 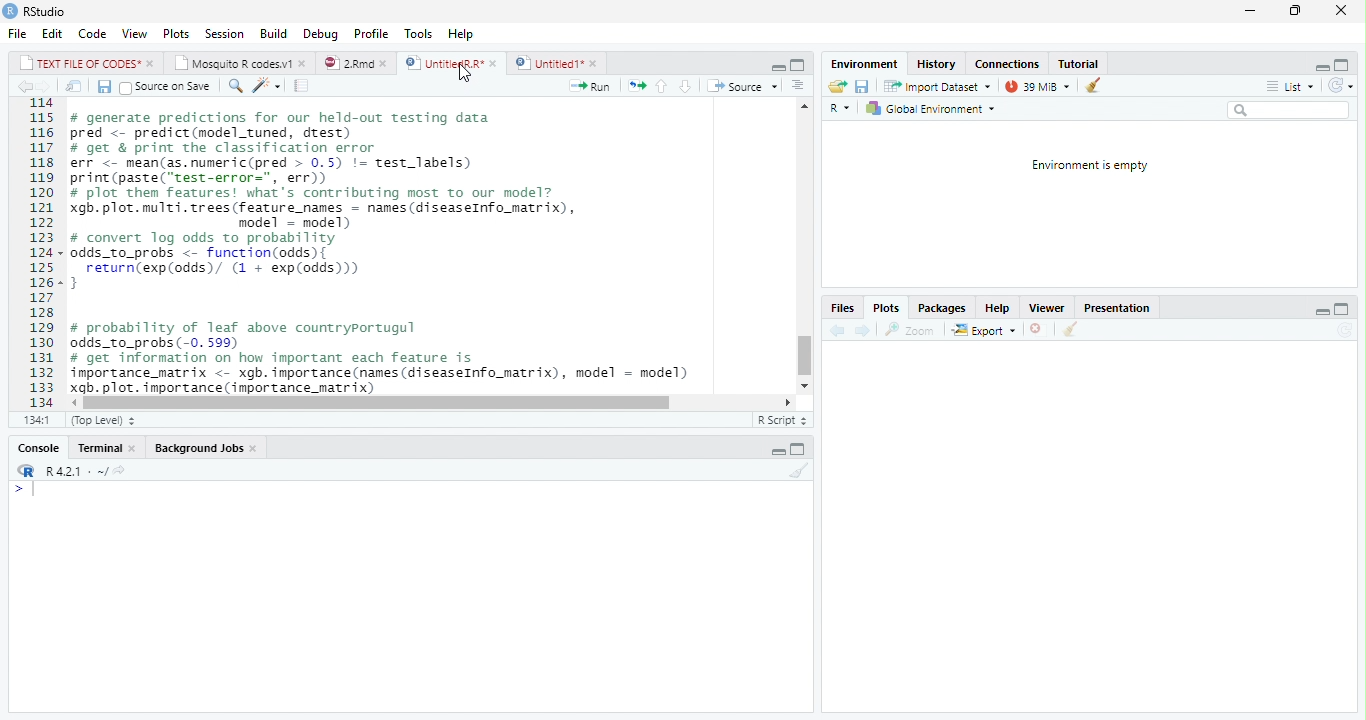 I want to click on TEXT FILE OF CODES" , so click(x=86, y=63).